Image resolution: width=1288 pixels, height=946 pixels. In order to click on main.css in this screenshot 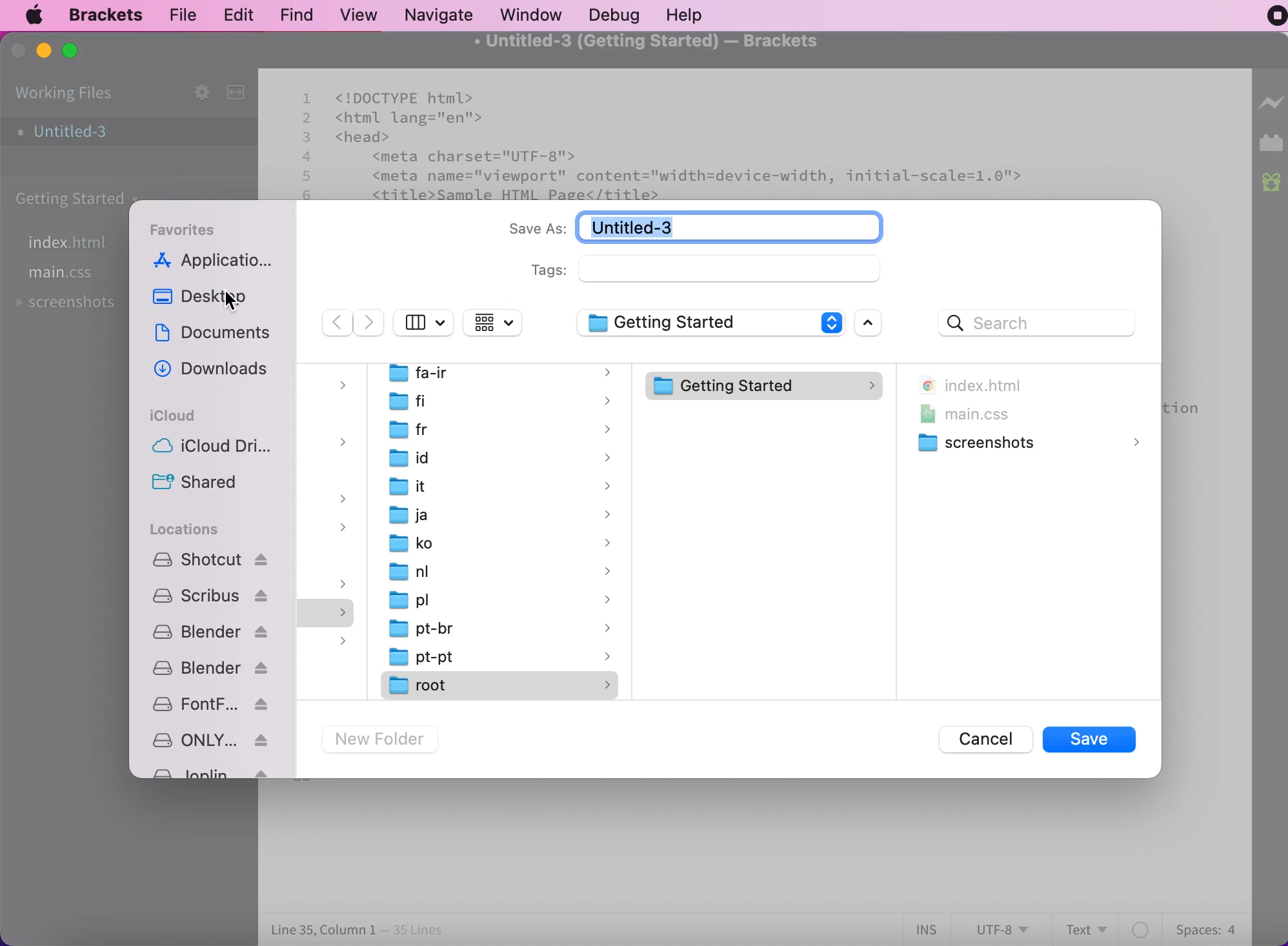, I will do `click(965, 413)`.